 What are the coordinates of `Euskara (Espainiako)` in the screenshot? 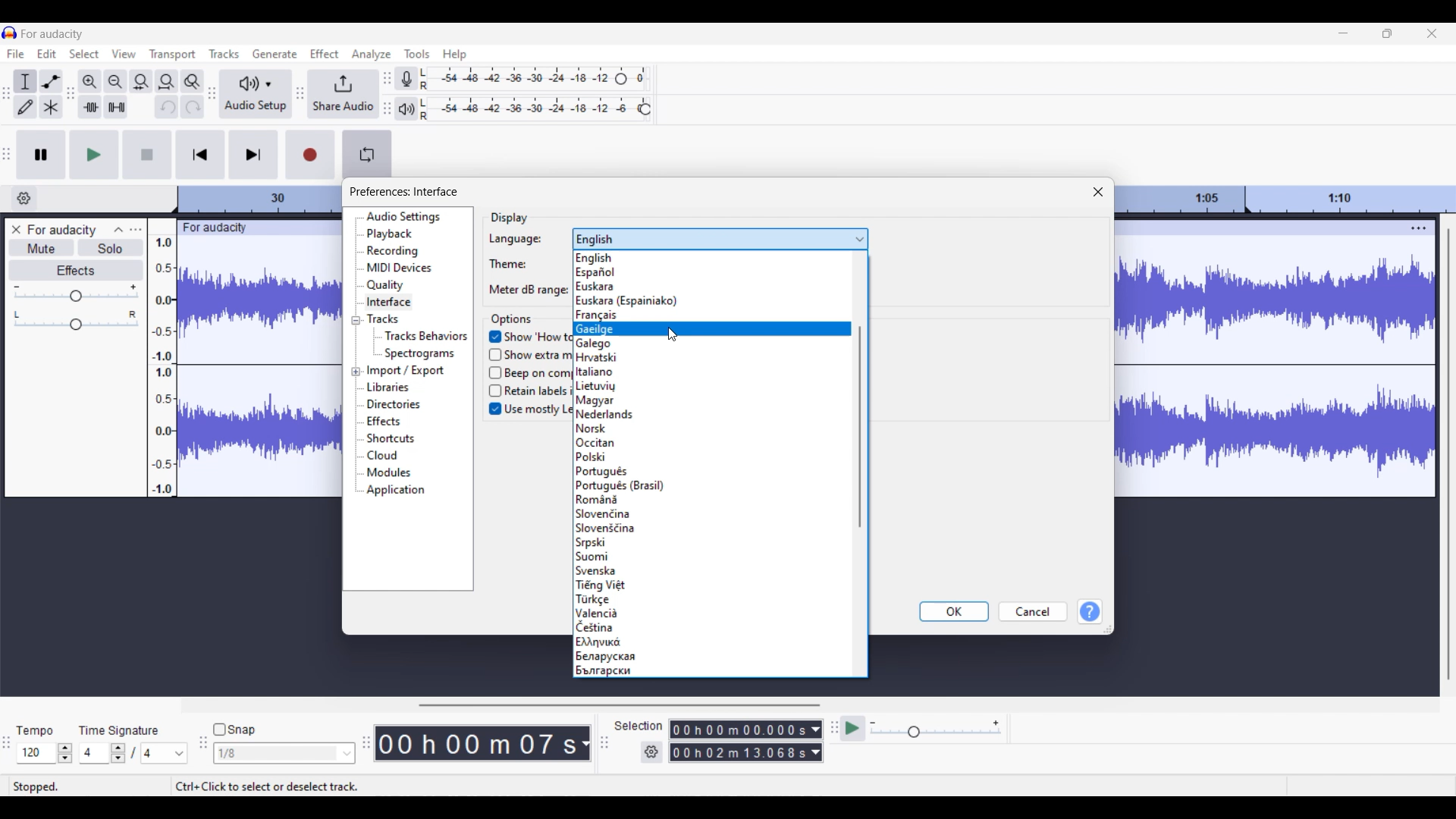 It's located at (627, 301).